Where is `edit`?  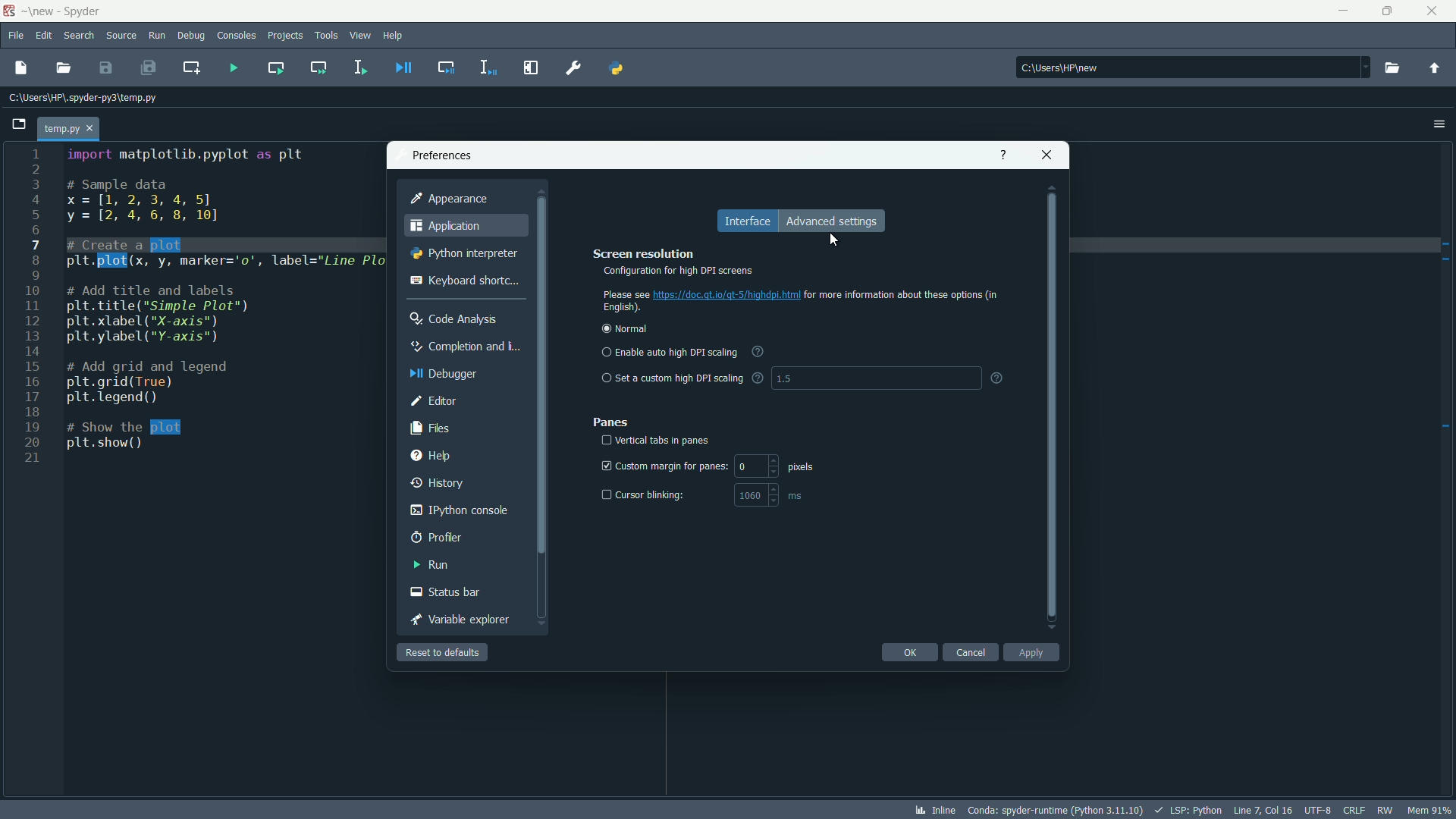 edit is located at coordinates (44, 36).